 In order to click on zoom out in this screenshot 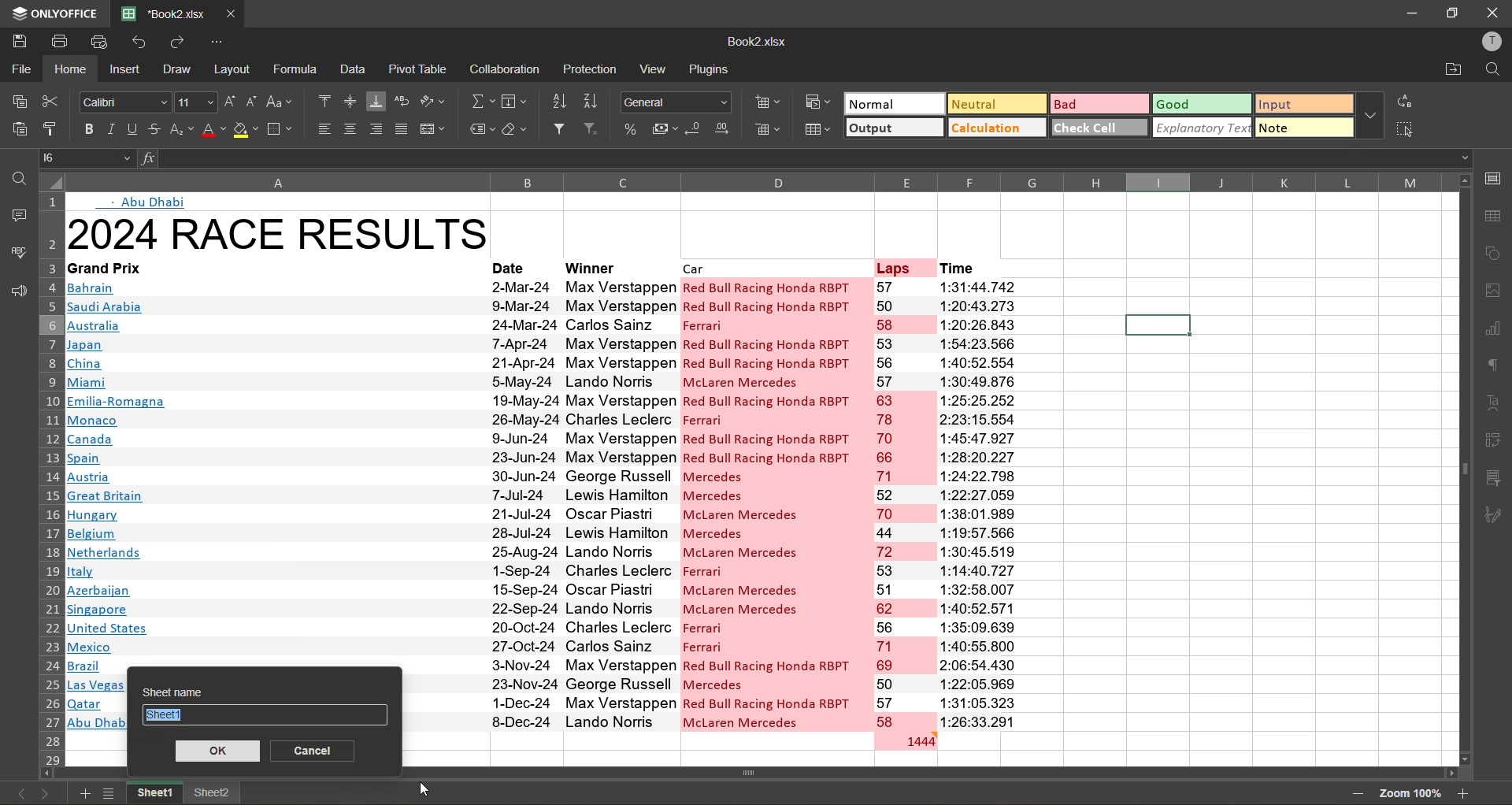, I will do `click(1357, 795)`.